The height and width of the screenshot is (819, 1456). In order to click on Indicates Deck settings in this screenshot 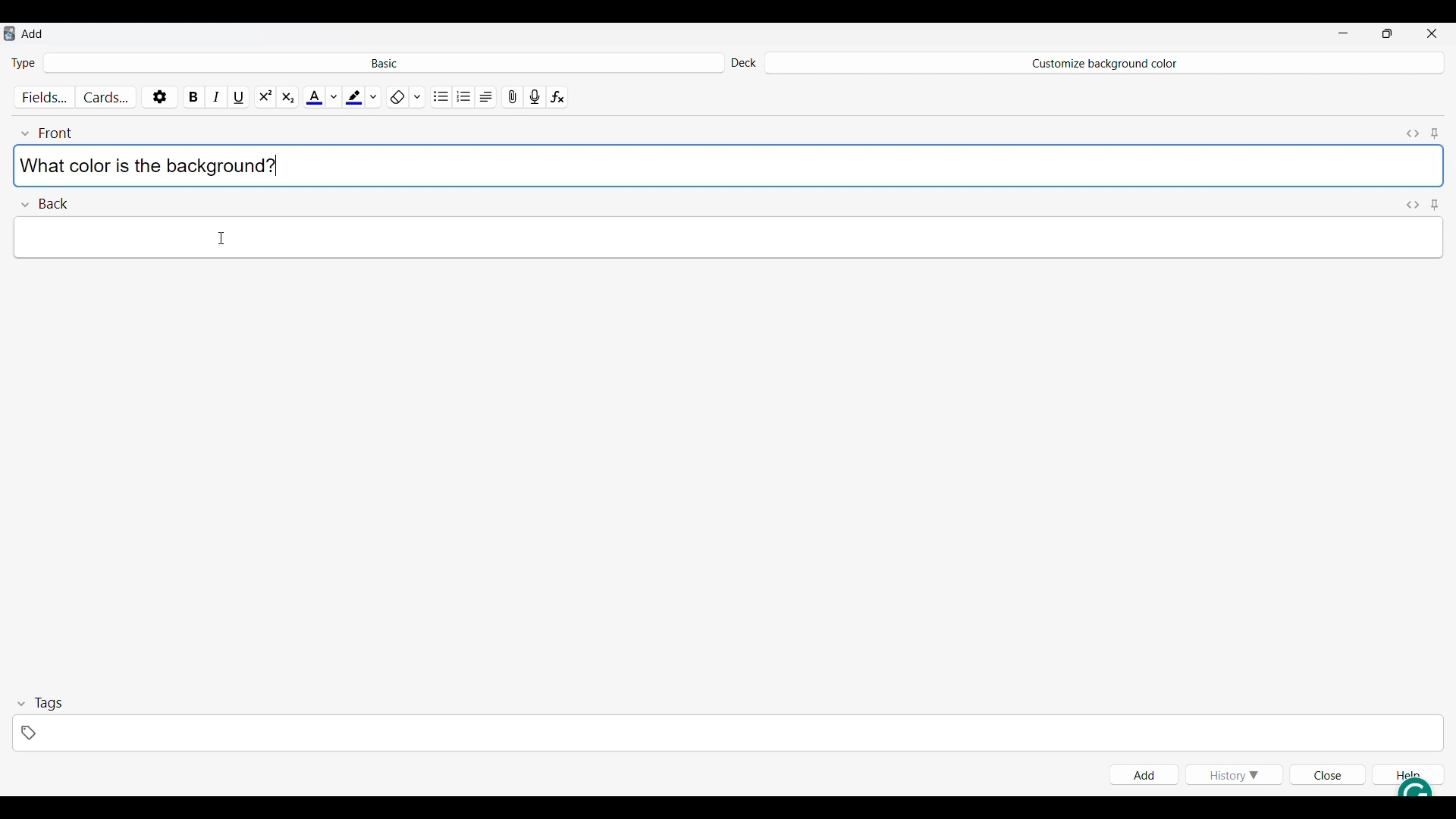, I will do `click(743, 63)`.